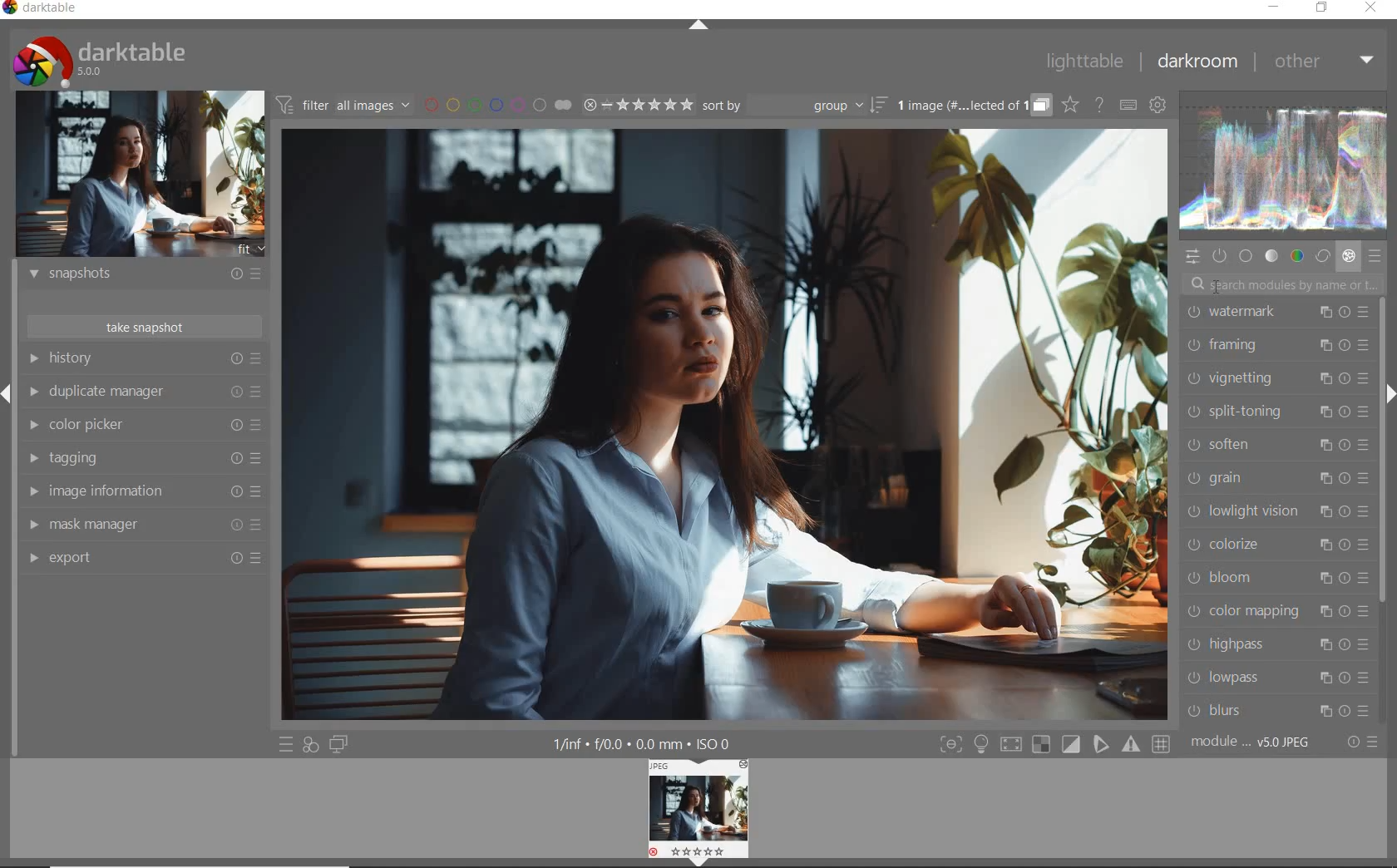  I want to click on grouped images, so click(973, 106).